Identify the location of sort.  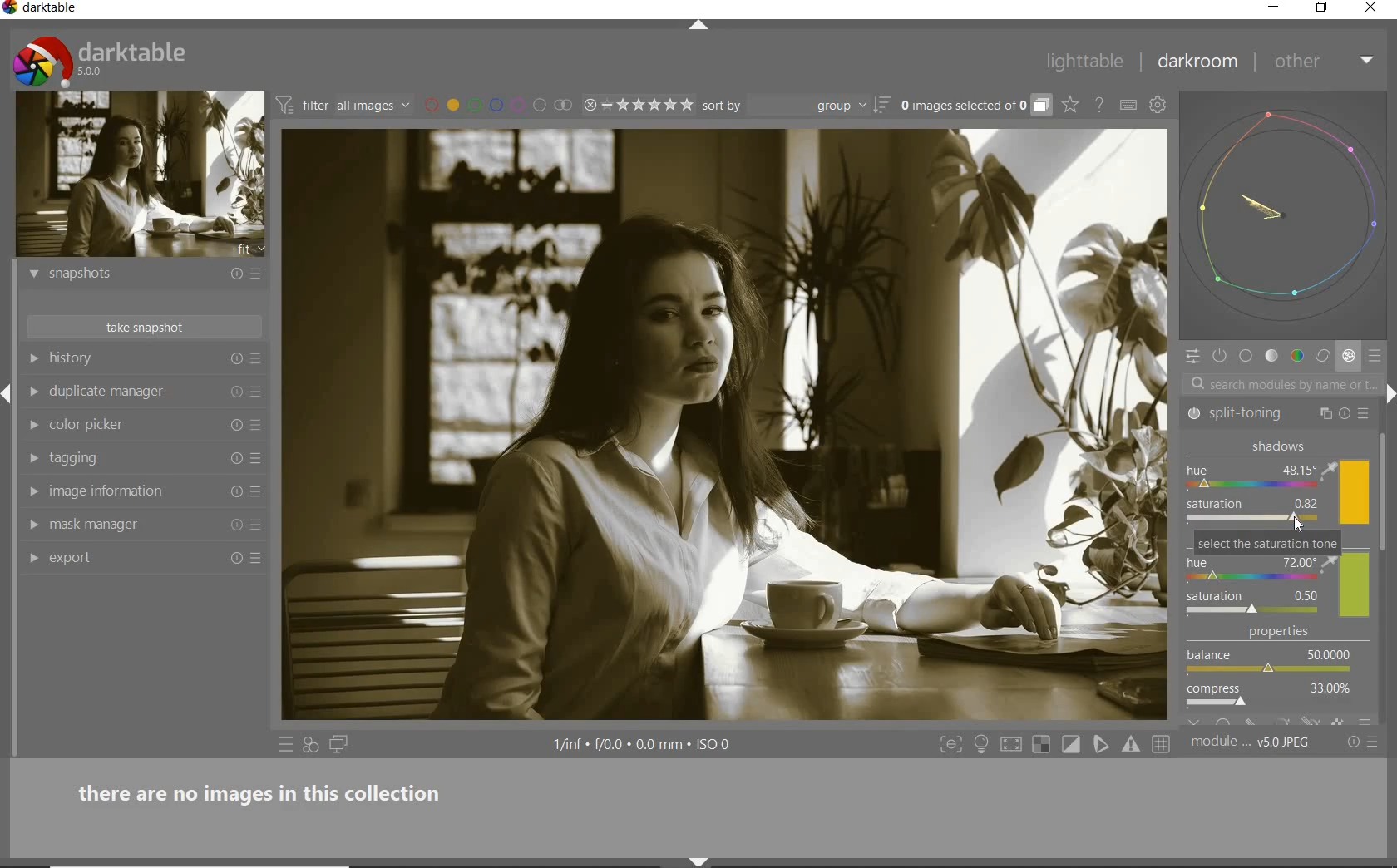
(795, 106).